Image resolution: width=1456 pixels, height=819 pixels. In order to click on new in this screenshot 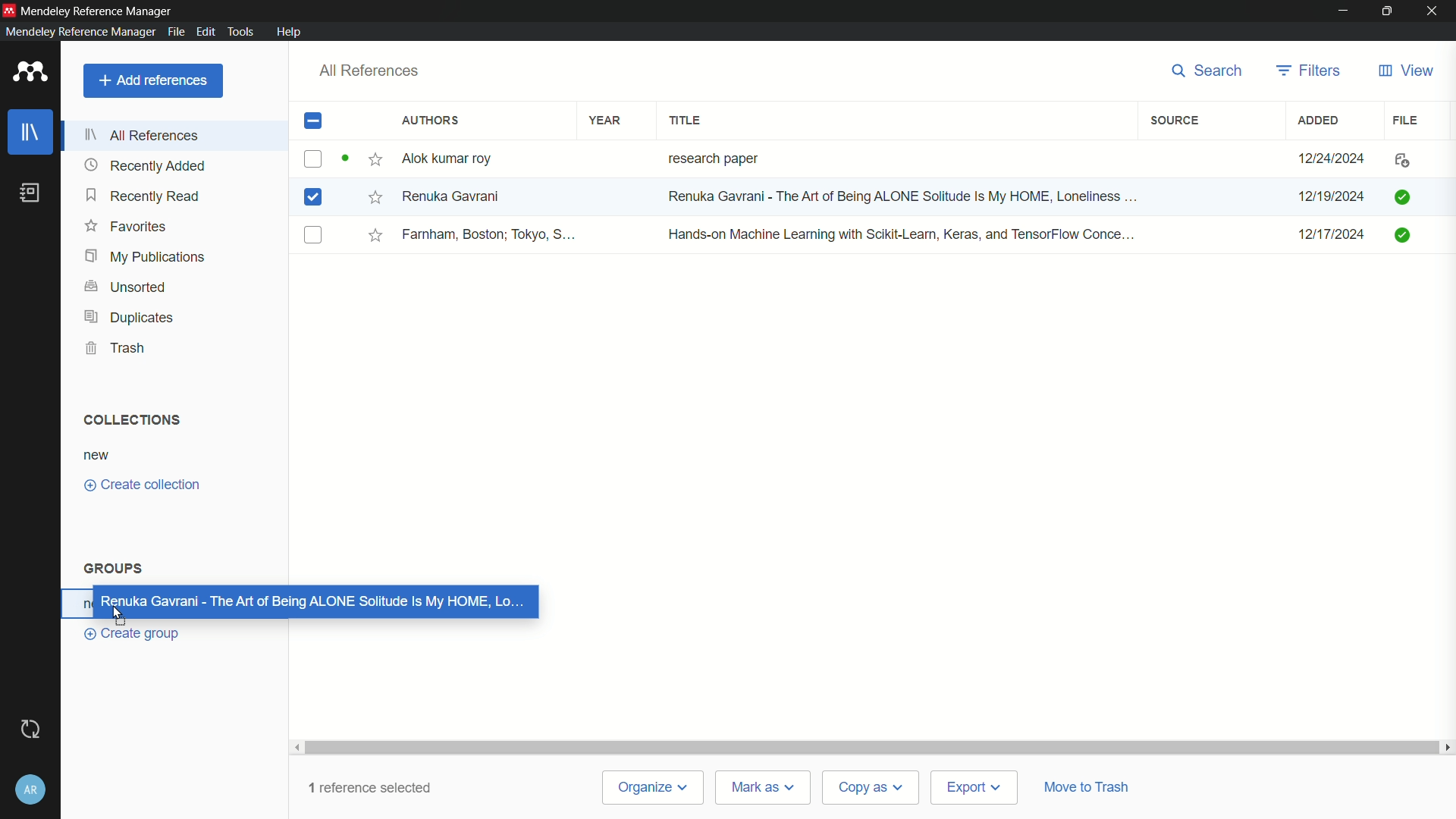, I will do `click(97, 455)`.